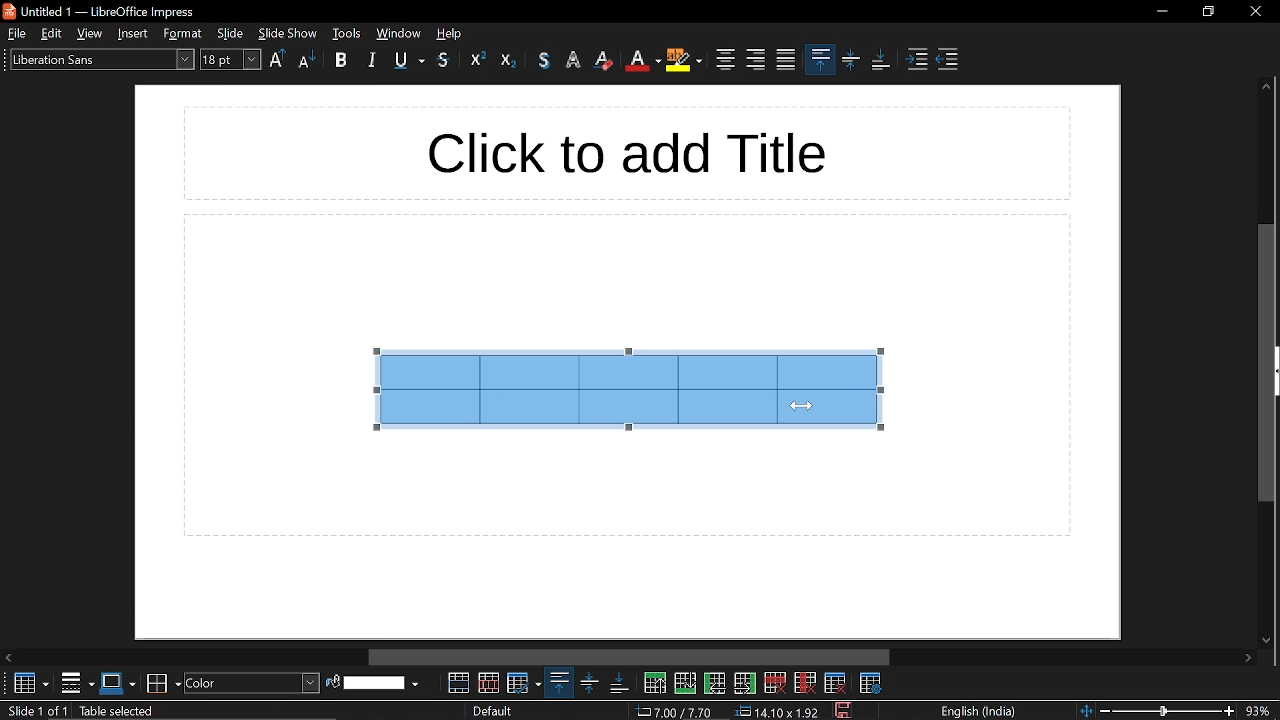 This screenshot has width=1280, height=720. Describe the element at coordinates (777, 712) in the screenshot. I see `dimension` at that location.